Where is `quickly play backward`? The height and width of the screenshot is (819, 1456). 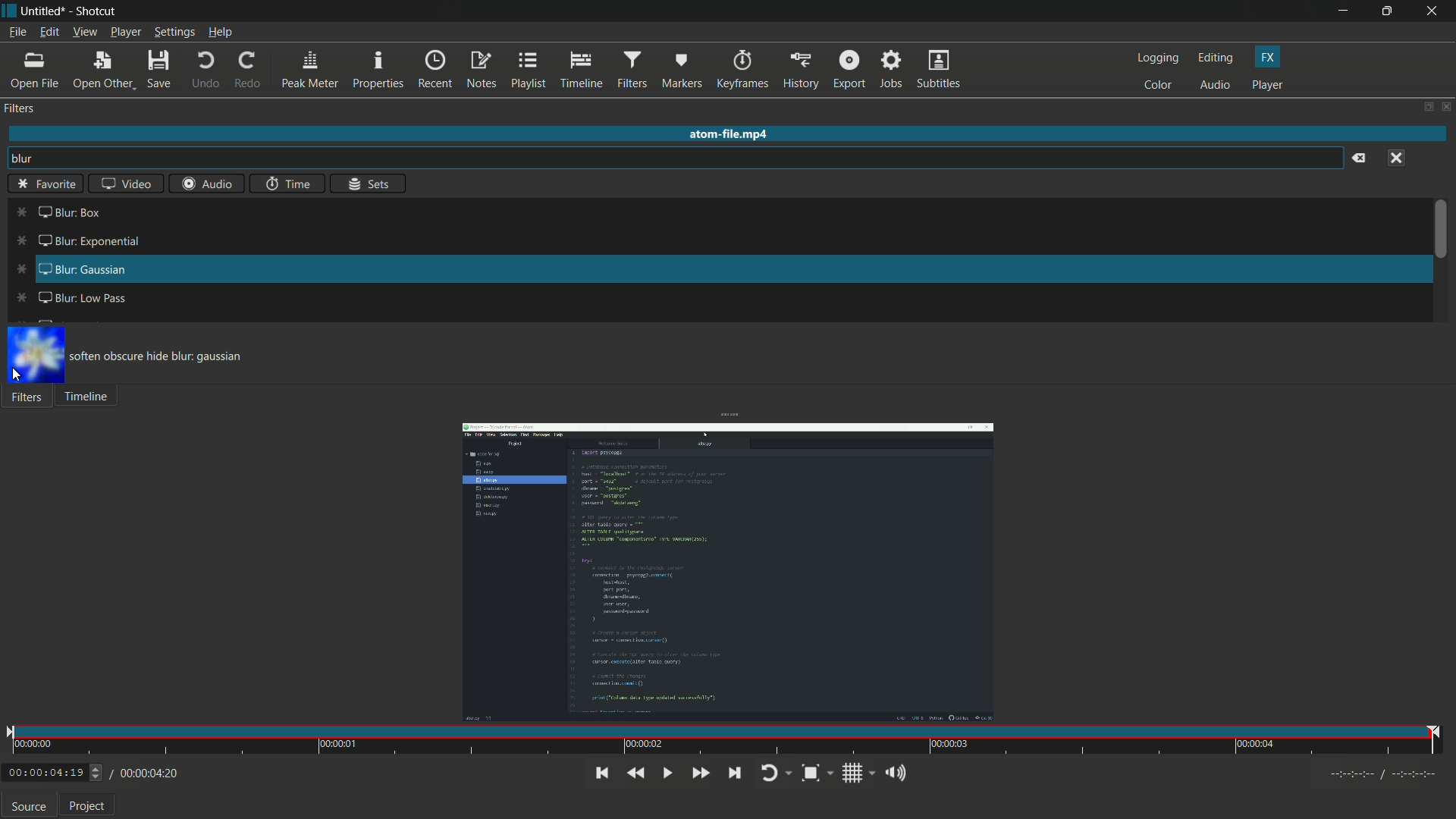
quickly play backward is located at coordinates (635, 773).